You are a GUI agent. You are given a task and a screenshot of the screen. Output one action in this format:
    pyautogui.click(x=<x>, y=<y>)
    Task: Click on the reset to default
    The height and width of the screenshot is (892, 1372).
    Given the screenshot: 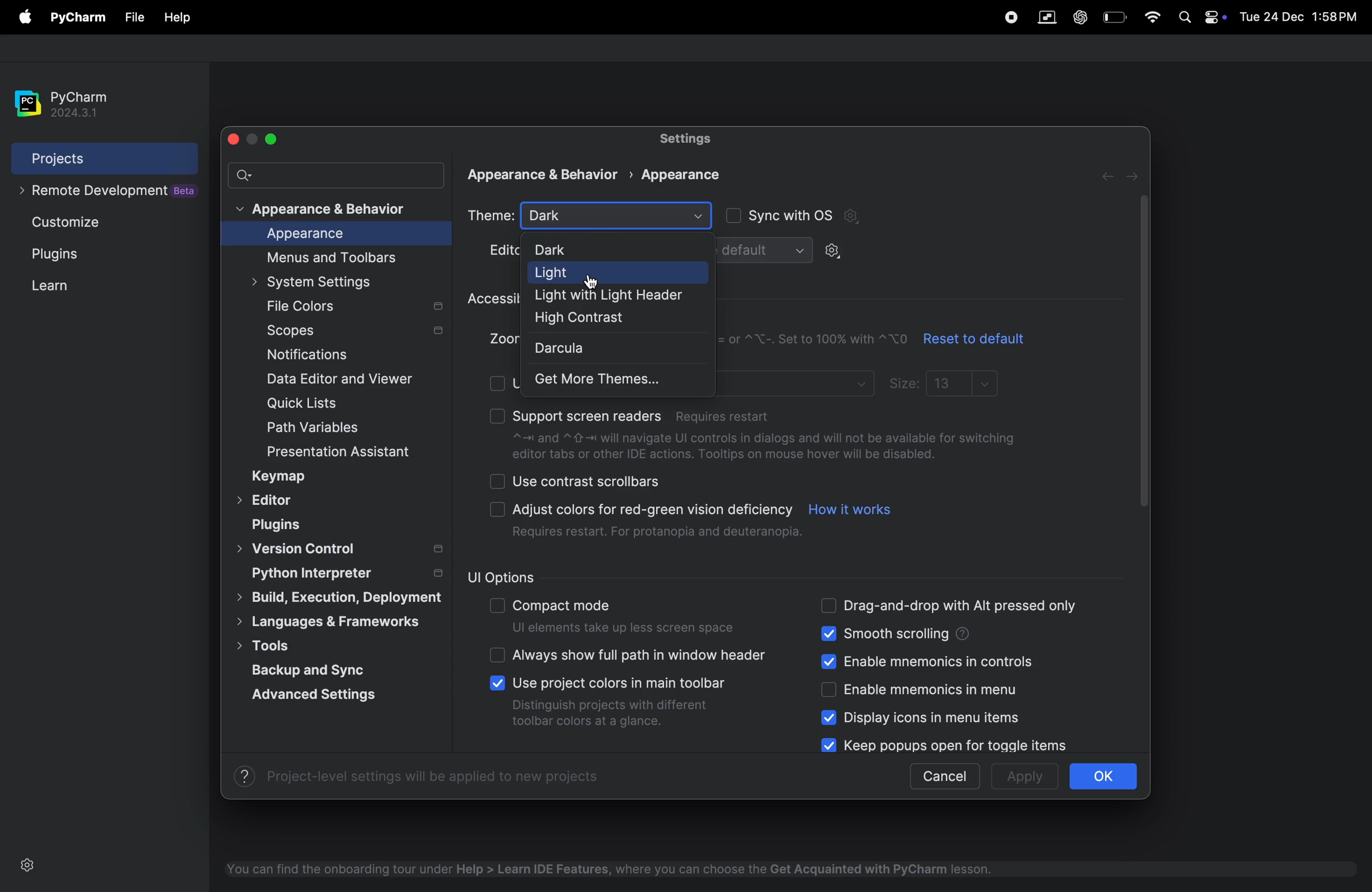 What is the action you would take?
    pyautogui.click(x=982, y=339)
    